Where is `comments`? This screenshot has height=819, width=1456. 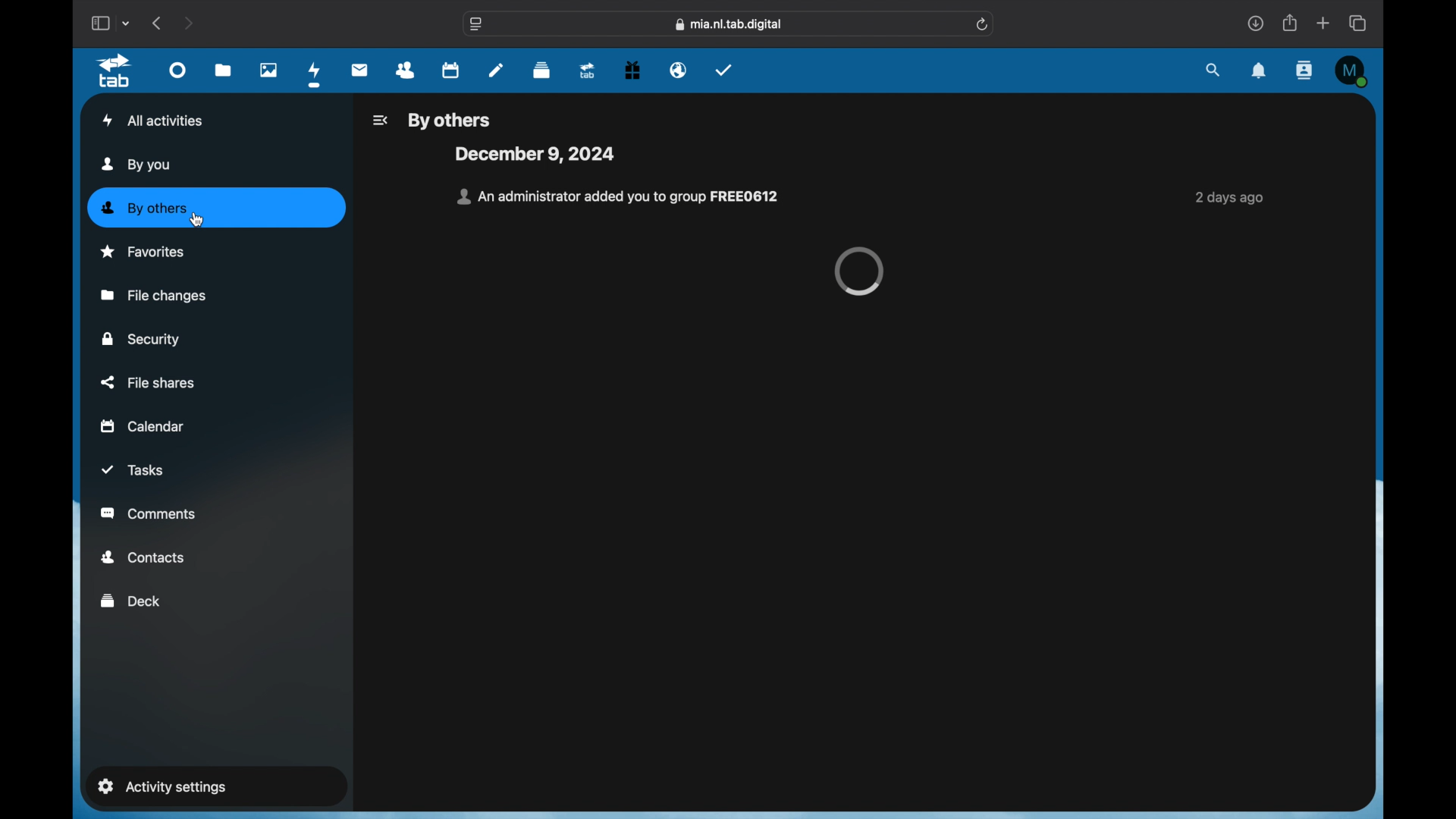 comments is located at coordinates (149, 513).